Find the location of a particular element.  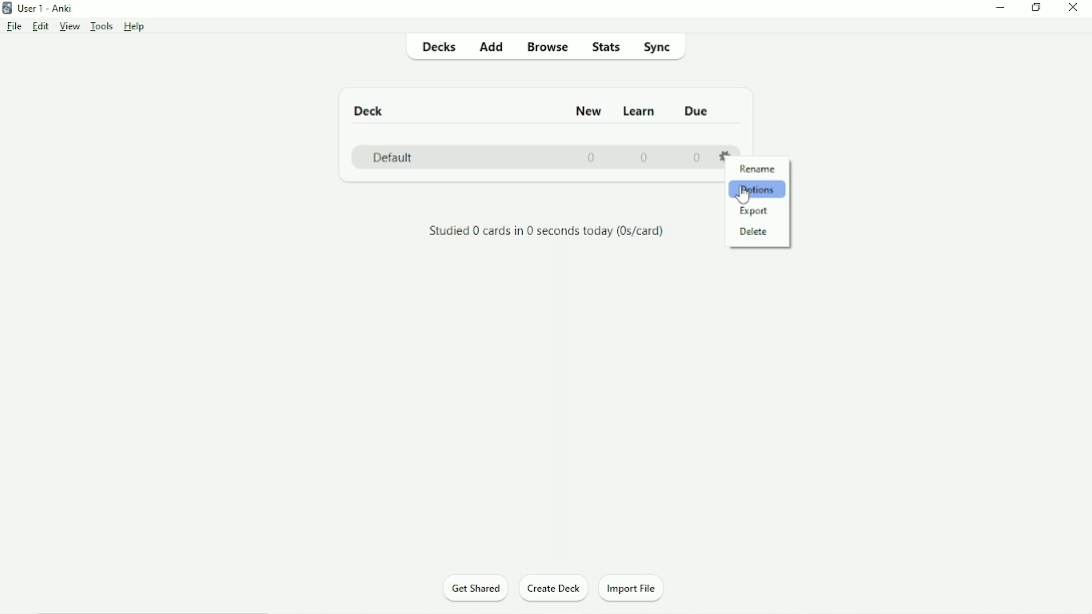

Close is located at coordinates (1076, 8).